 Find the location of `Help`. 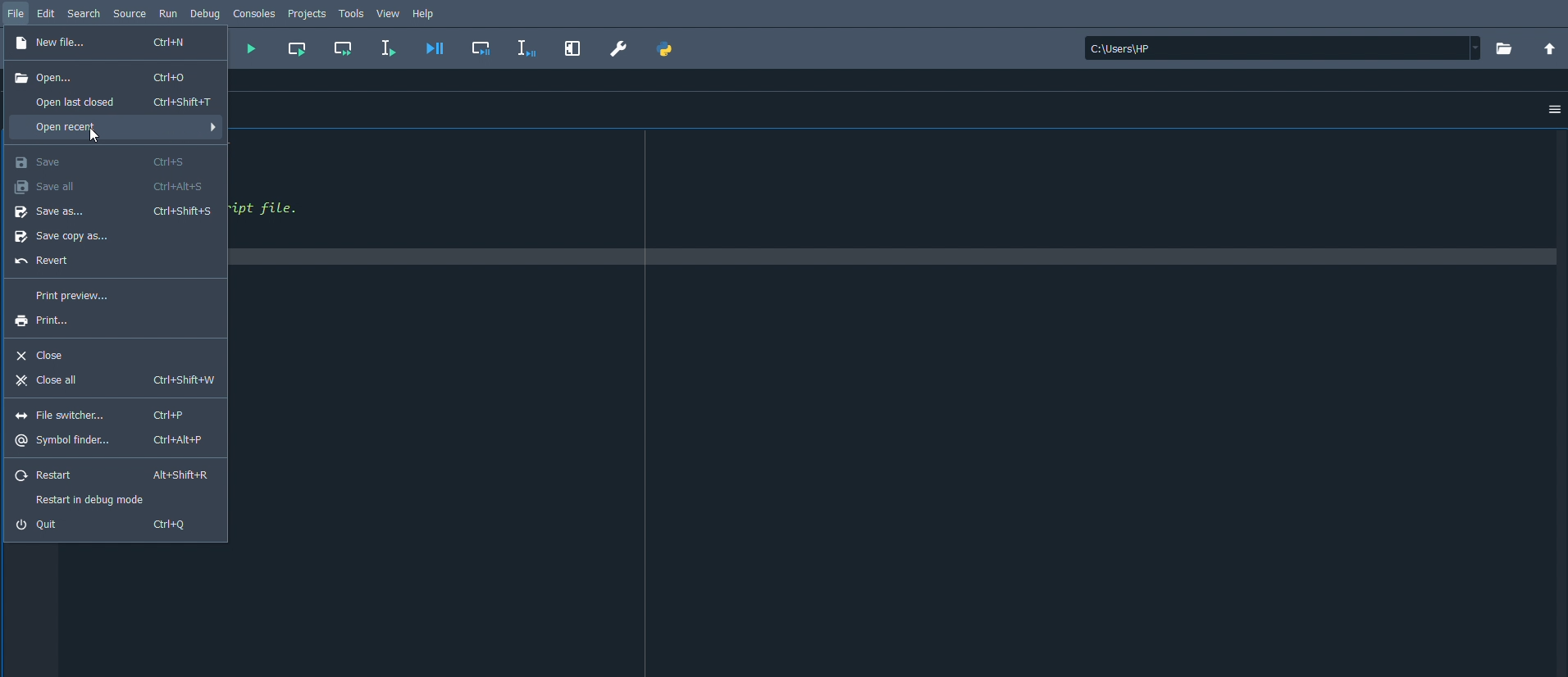

Help is located at coordinates (426, 14).